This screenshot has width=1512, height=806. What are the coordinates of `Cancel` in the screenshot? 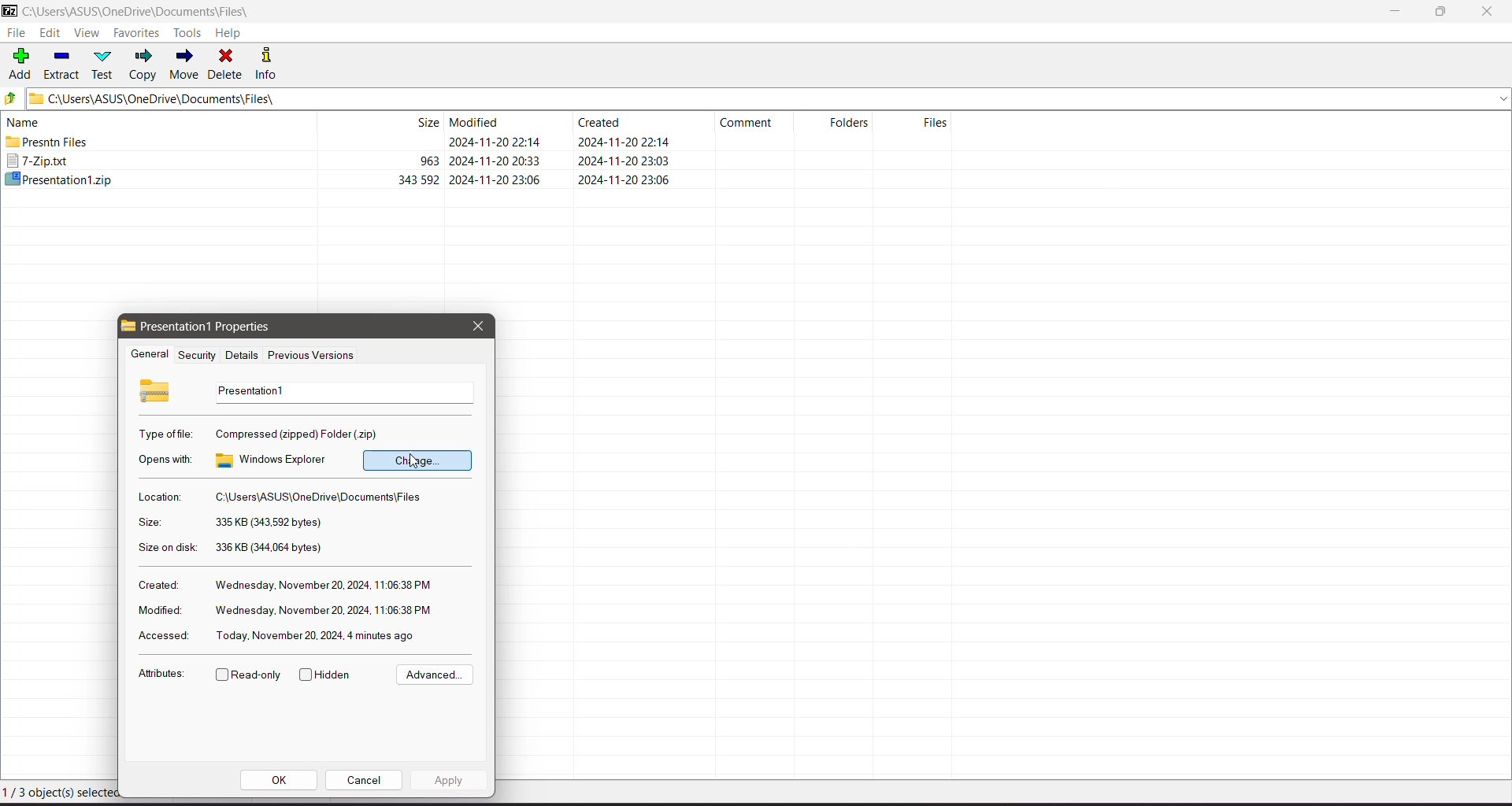 It's located at (364, 779).